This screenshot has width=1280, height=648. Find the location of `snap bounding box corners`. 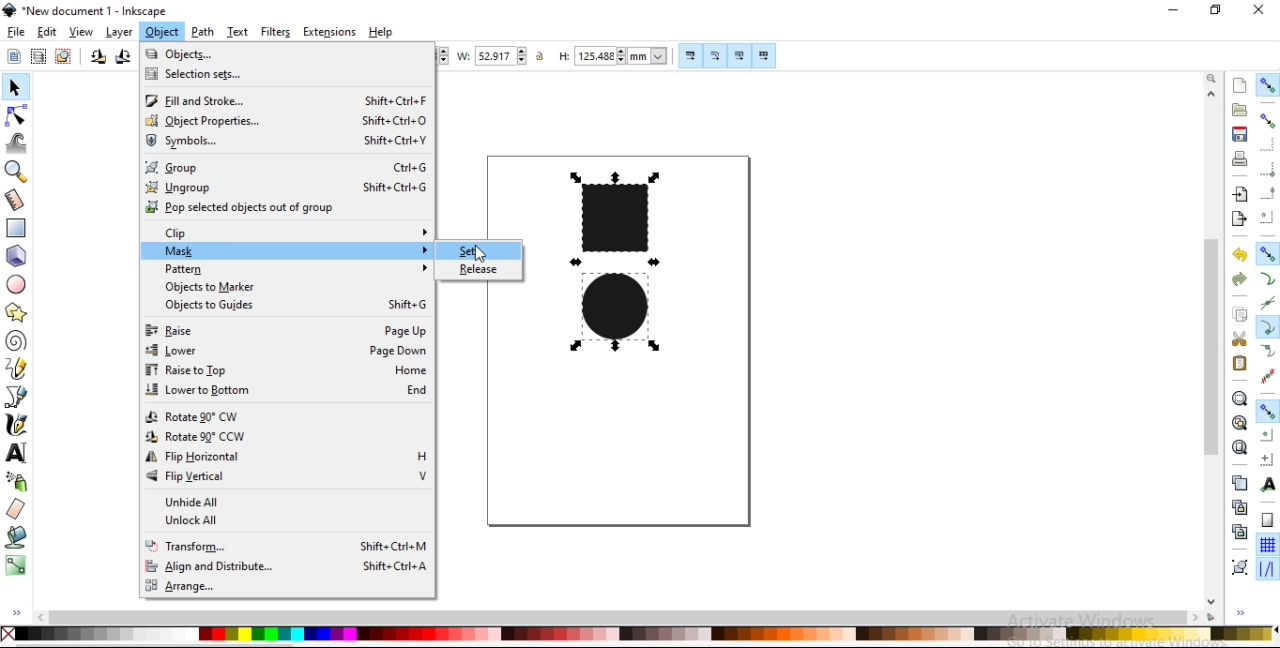

snap bounding box corners is located at coordinates (1267, 170).